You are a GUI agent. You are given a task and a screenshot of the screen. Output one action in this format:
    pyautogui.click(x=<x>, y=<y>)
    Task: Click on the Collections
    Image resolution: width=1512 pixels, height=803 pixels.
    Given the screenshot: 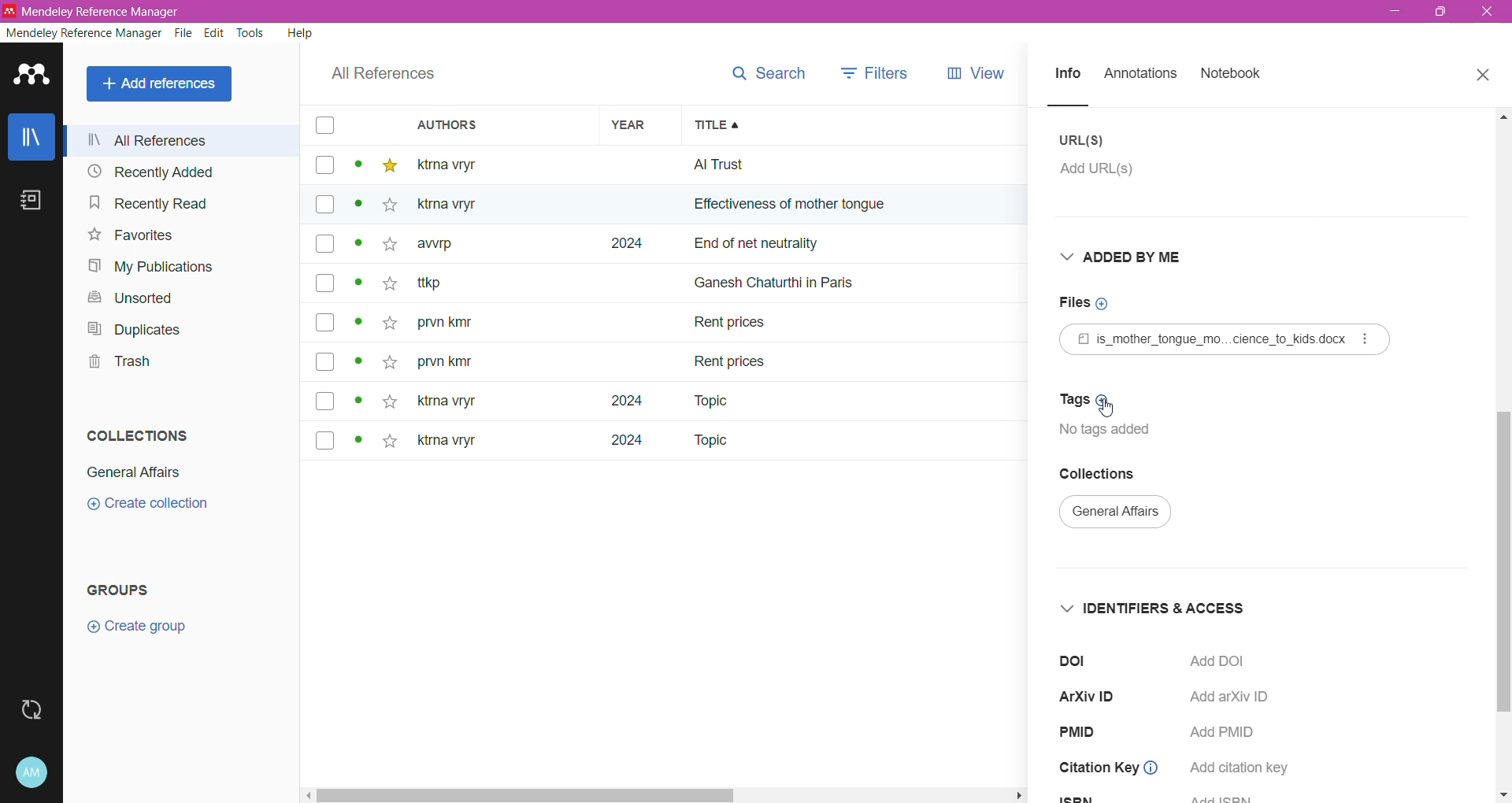 What is the action you would take?
    pyautogui.click(x=1102, y=475)
    